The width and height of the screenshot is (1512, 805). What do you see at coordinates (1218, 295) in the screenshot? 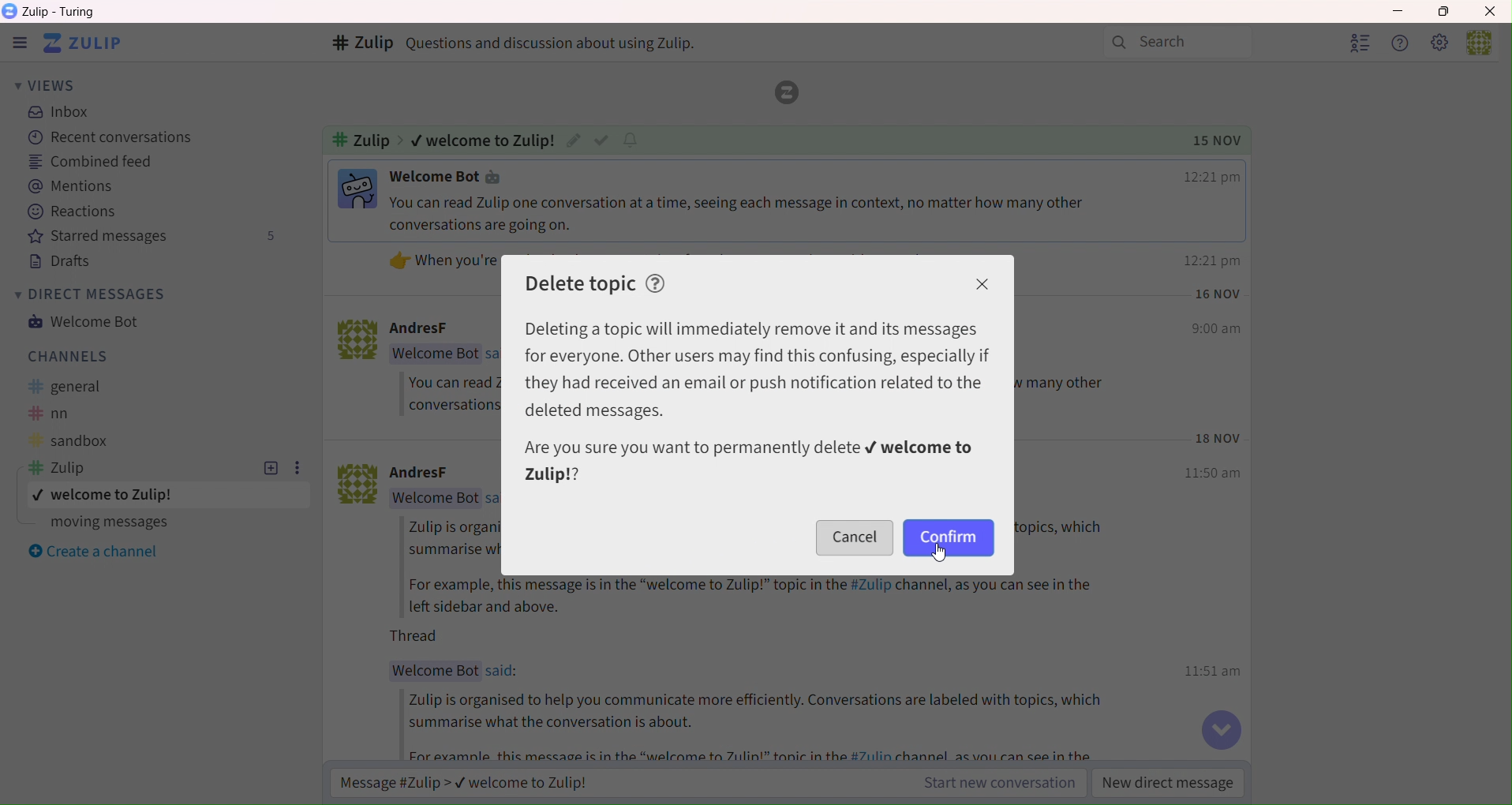
I see `Time` at bounding box center [1218, 295].